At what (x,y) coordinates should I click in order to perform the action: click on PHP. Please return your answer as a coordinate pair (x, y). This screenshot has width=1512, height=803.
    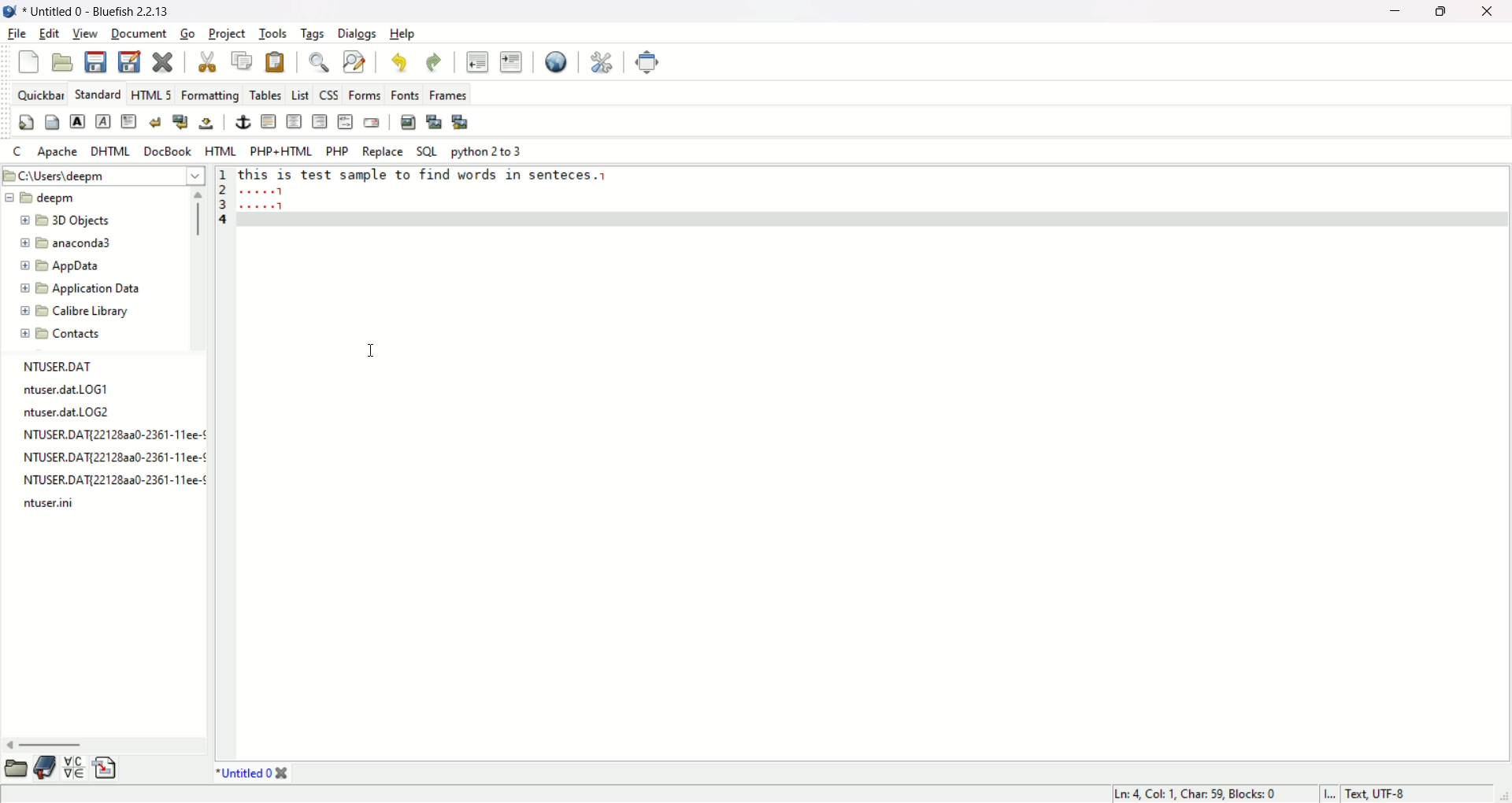
    Looking at the image, I should click on (335, 150).